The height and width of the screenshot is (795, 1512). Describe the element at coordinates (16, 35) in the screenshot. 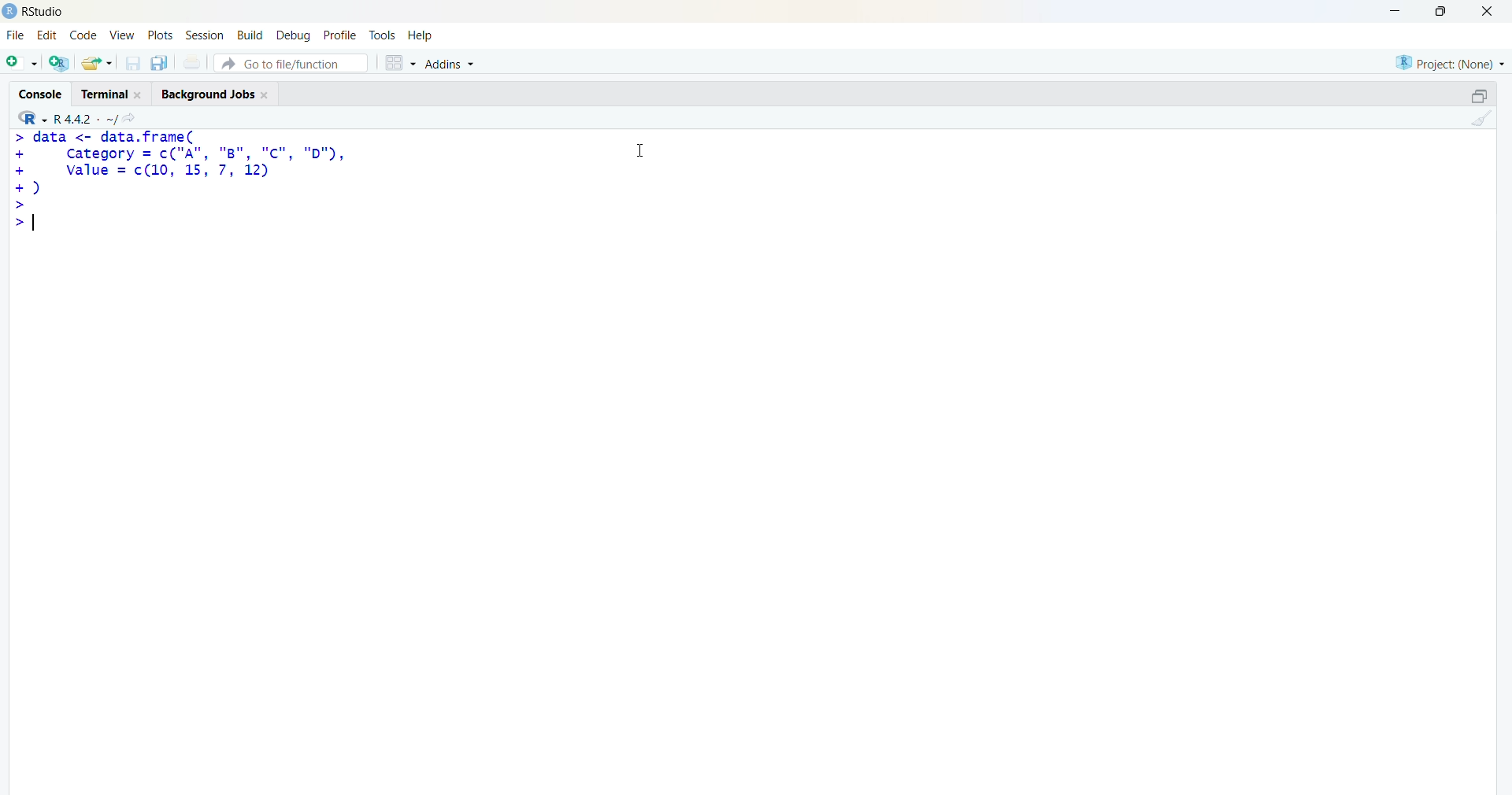

I see `File` at that location.